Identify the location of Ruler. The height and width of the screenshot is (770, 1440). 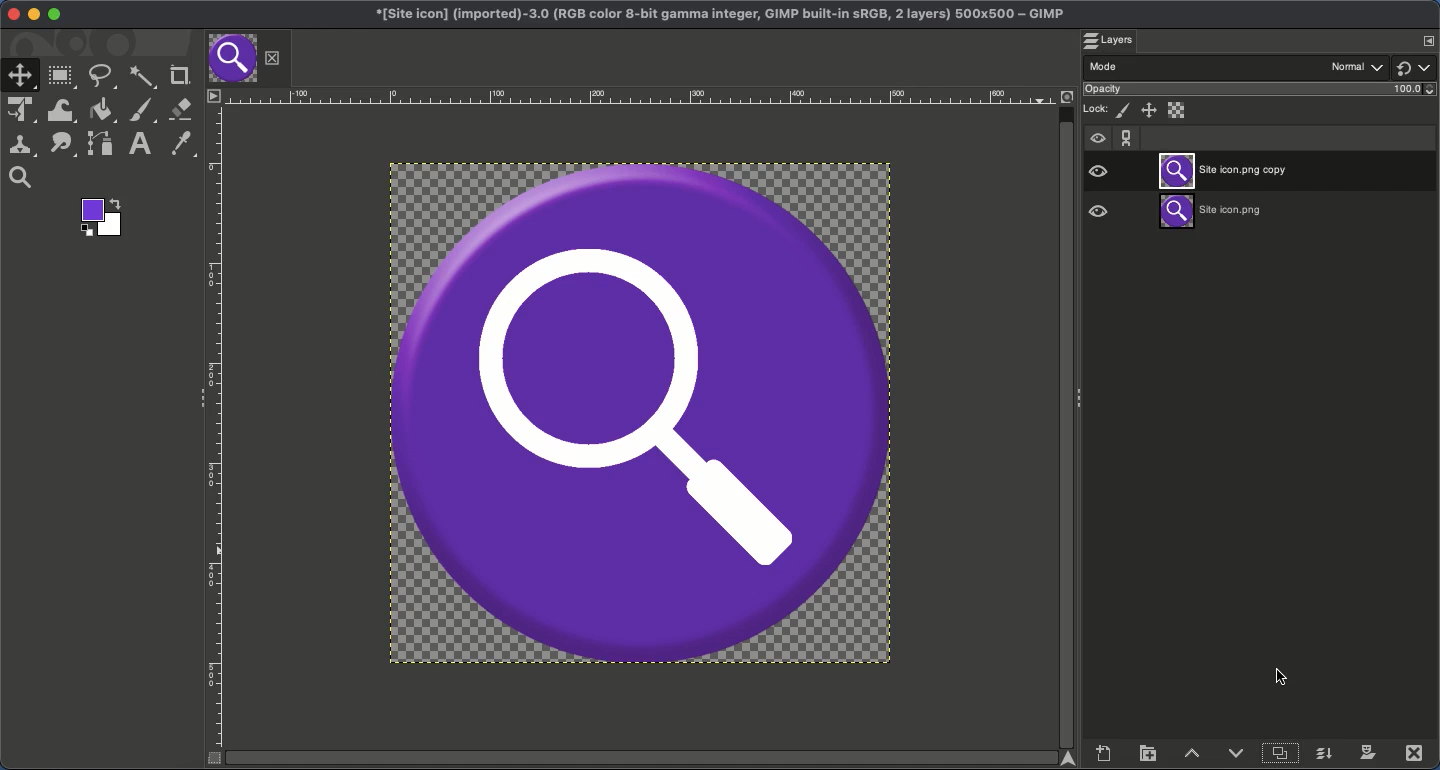
(643, 95).